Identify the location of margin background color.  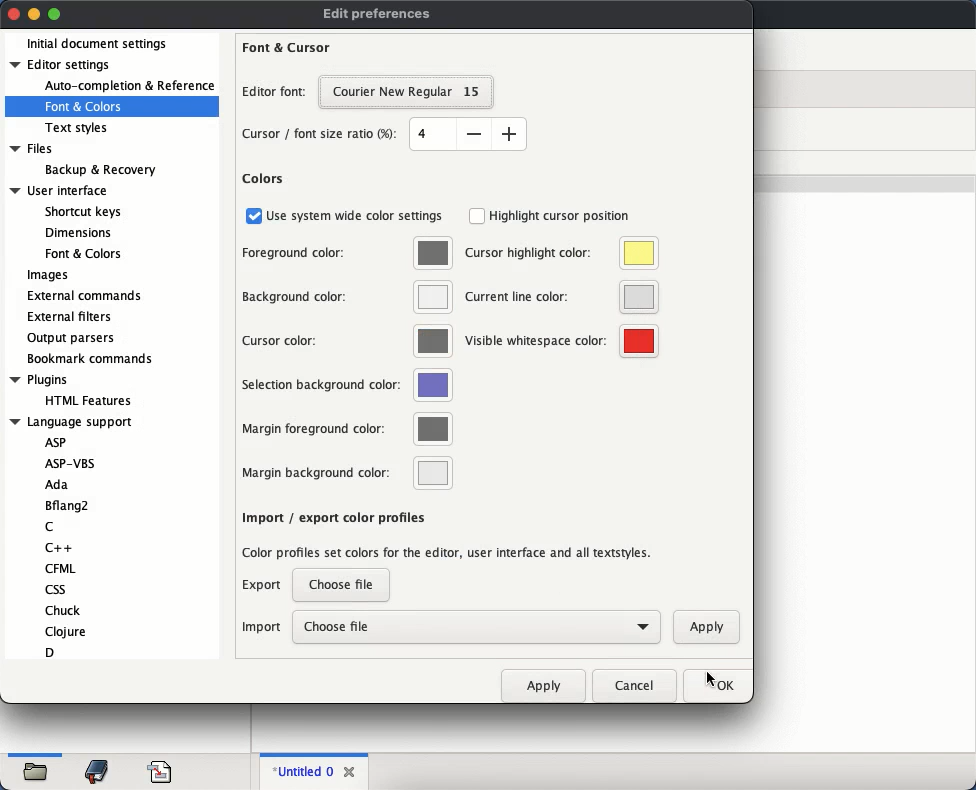
(343, 473).